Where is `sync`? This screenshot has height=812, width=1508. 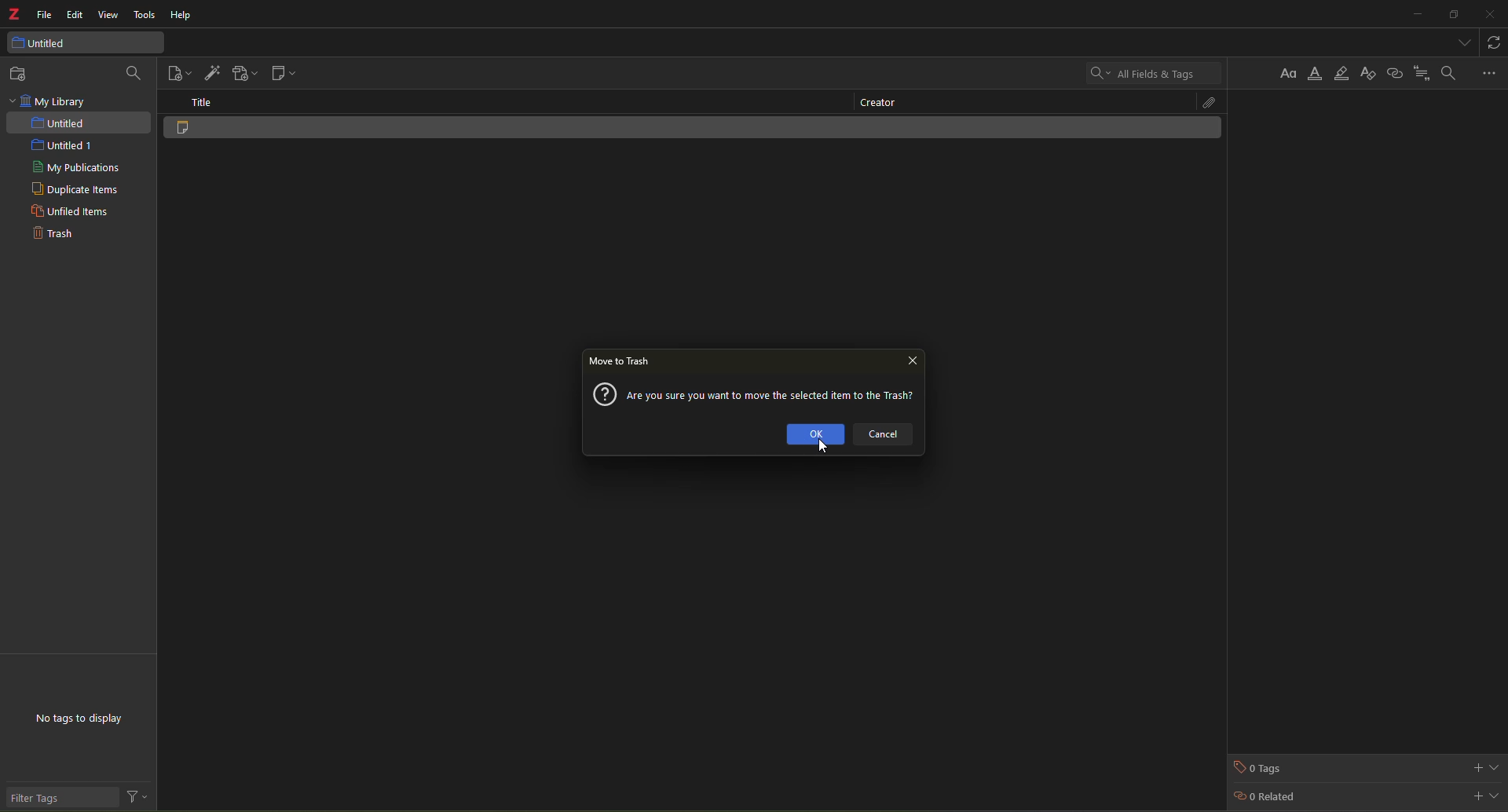 sync is located at coordinates (1496, 41).